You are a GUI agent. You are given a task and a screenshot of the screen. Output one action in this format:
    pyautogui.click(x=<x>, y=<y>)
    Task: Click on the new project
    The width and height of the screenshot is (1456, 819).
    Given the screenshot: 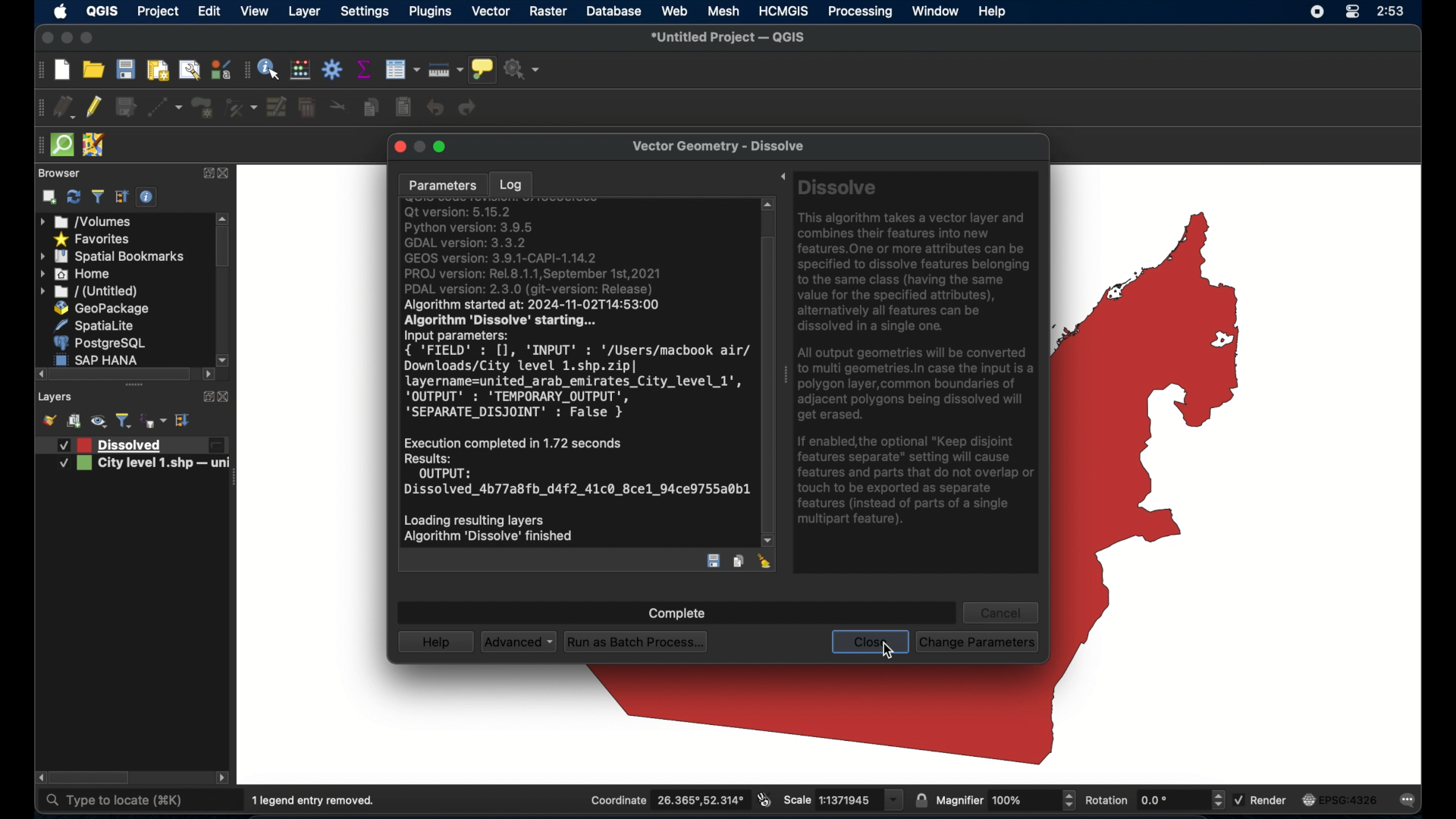 What is the action you would take?
    pyautogui.click(x=63, y=71)
    